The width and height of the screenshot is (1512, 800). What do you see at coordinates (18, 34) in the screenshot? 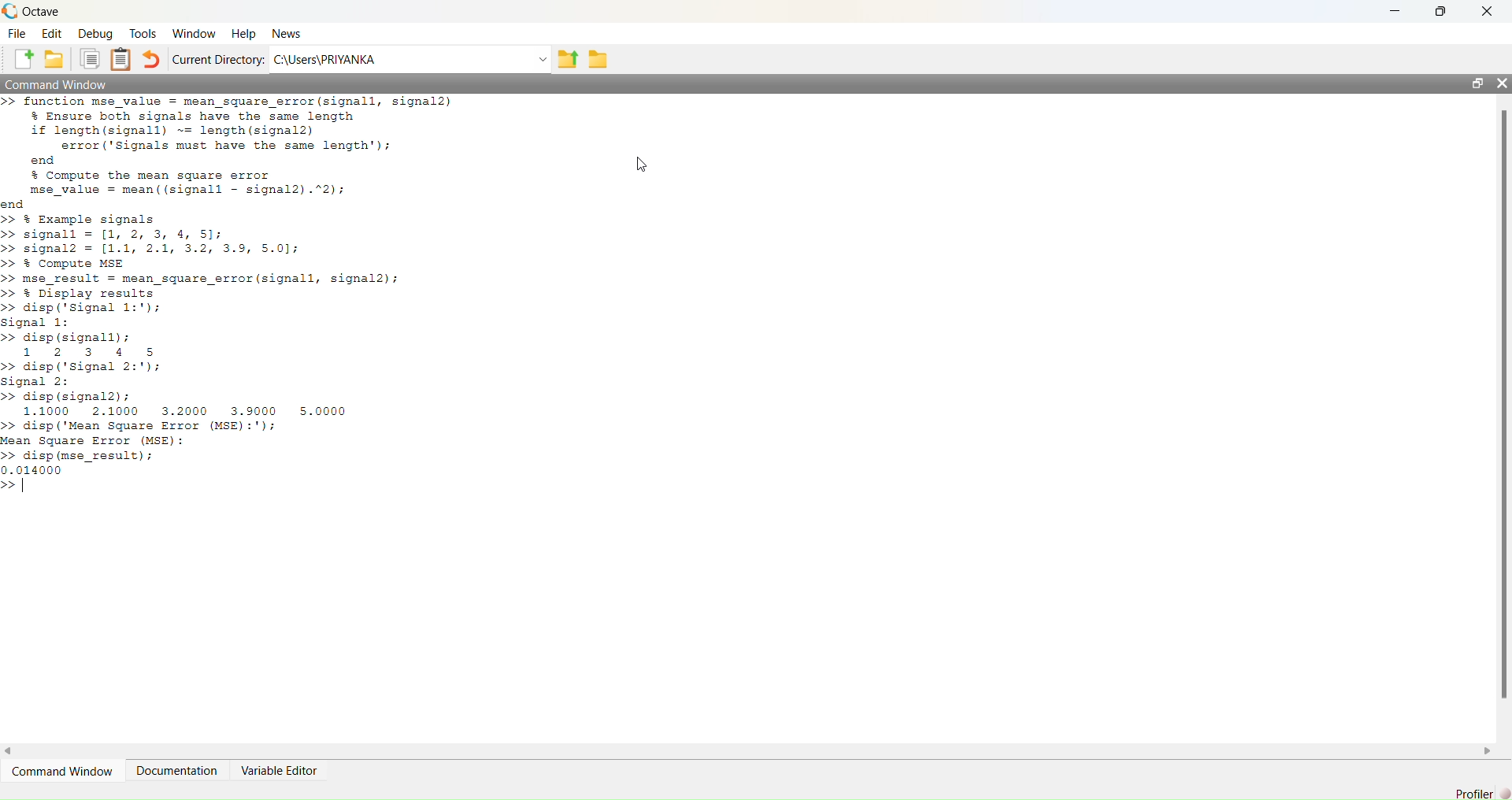
I see `file` at bounding box center [18, 34].